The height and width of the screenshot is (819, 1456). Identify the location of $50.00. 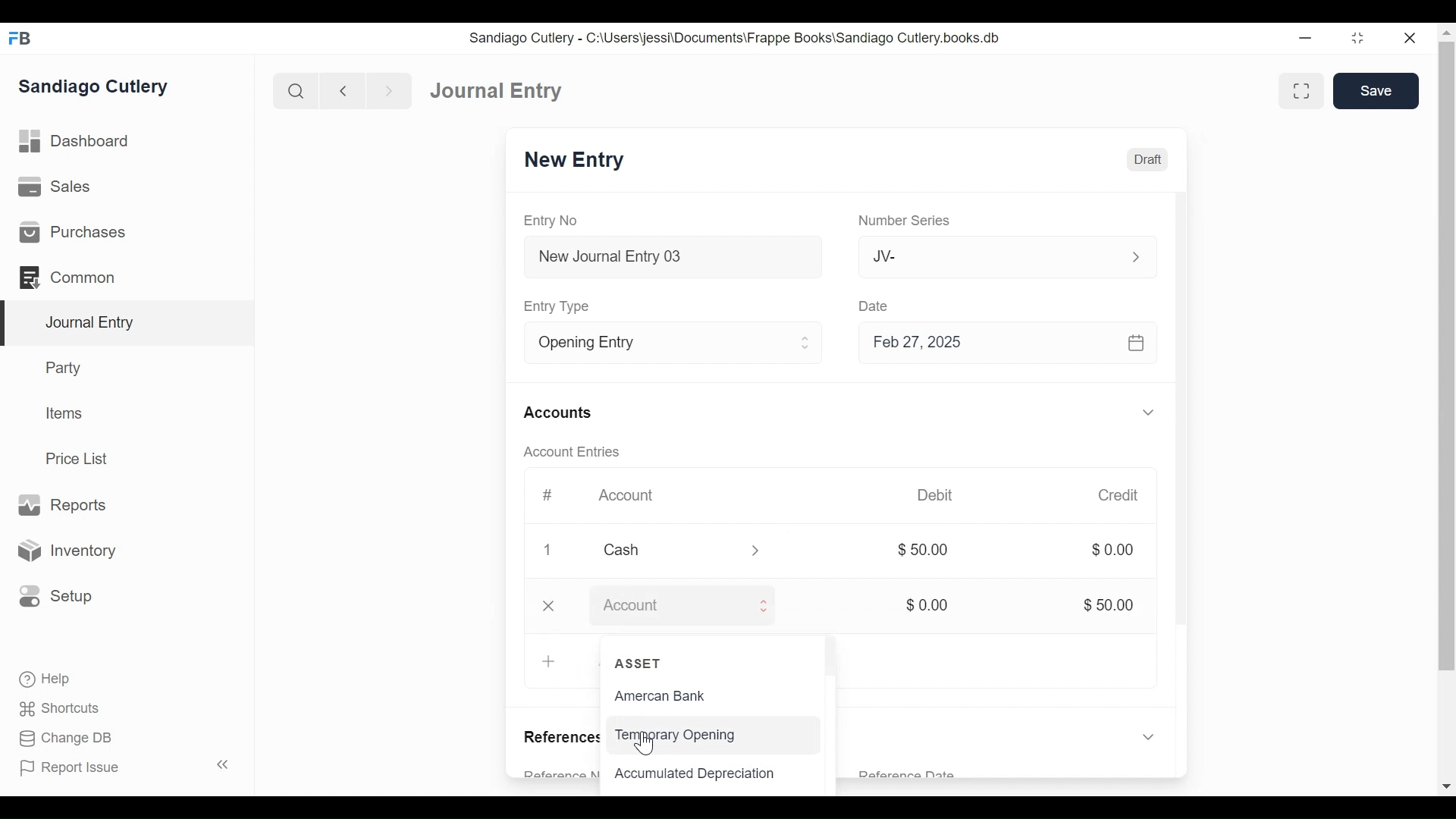
(924, 550).